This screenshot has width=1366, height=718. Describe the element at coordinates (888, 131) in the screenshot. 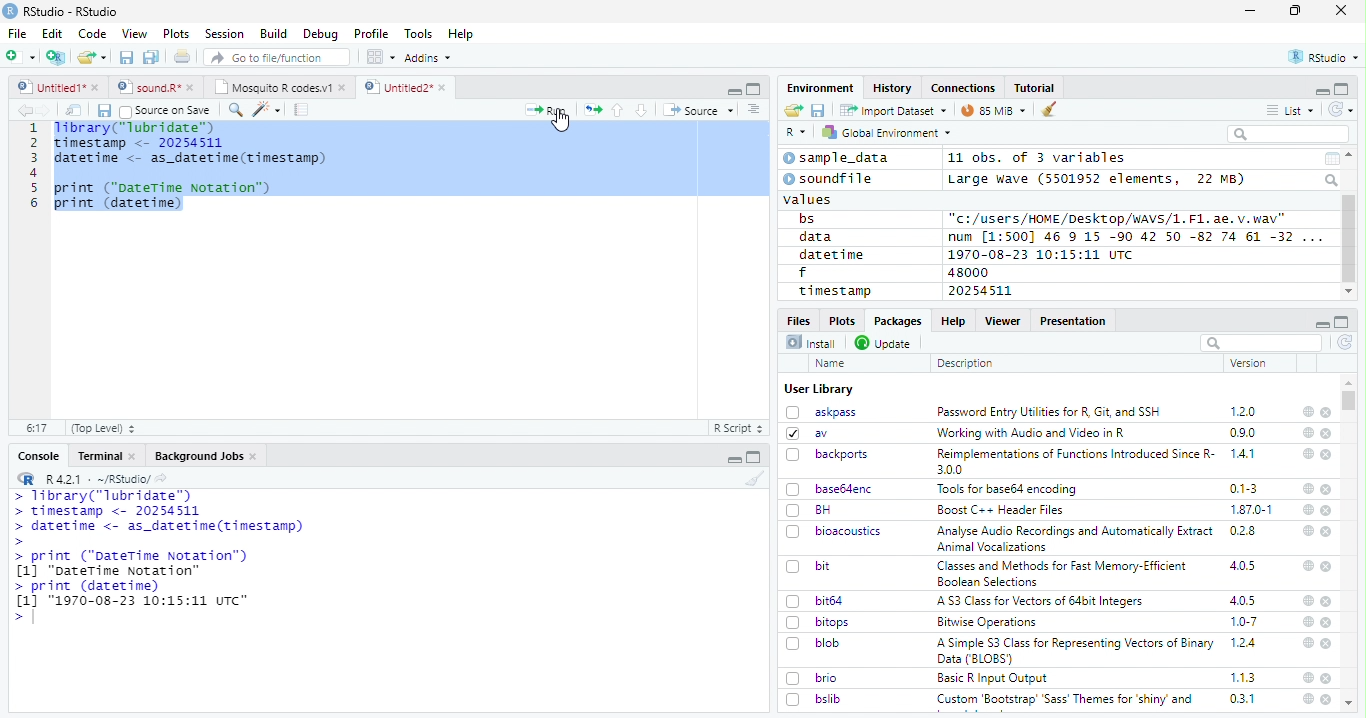

I see `Global Environment` at that location.